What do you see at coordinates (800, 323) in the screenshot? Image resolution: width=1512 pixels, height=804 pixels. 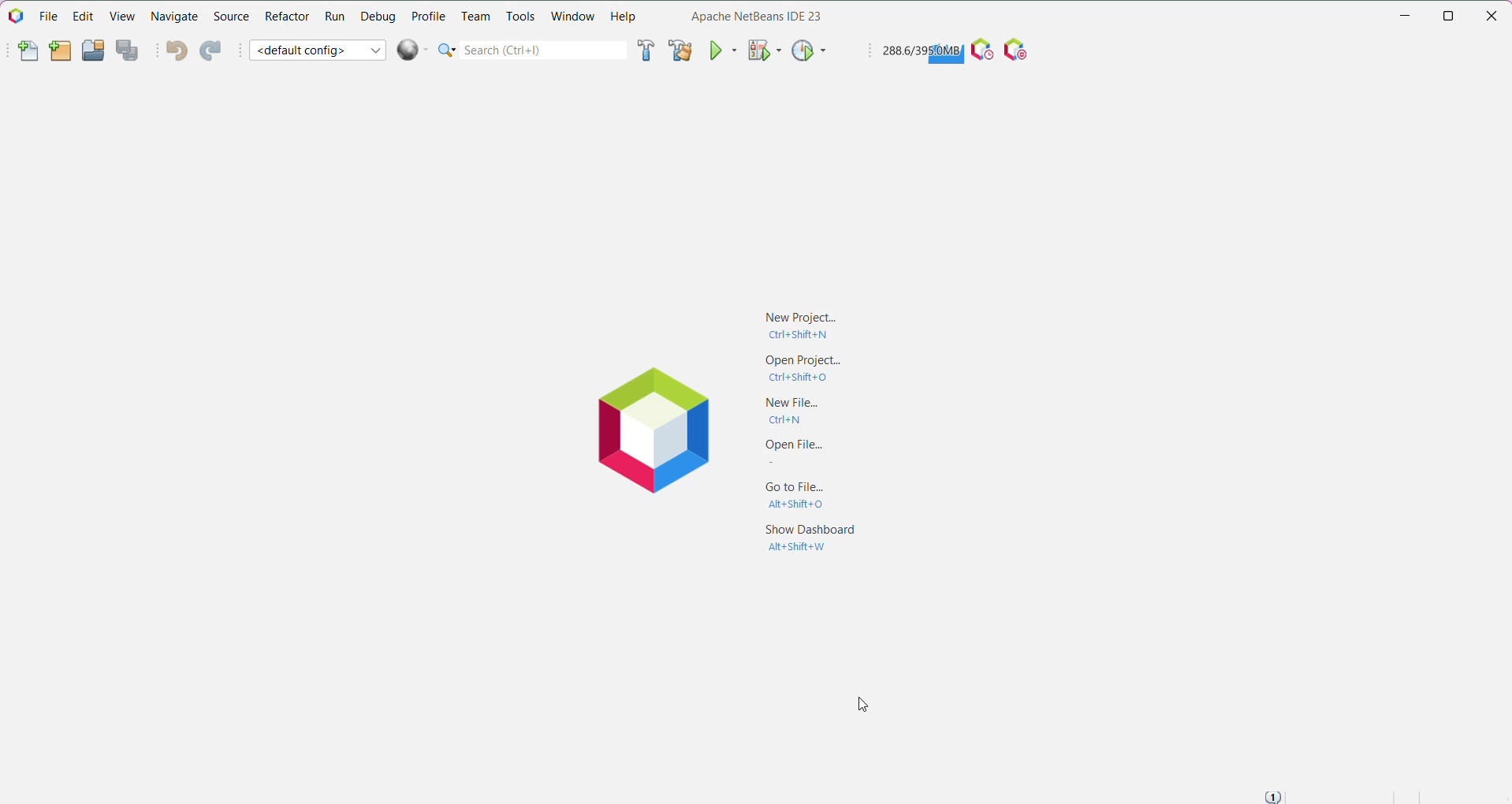 I see `New Project` at bounding box center [800, 323].